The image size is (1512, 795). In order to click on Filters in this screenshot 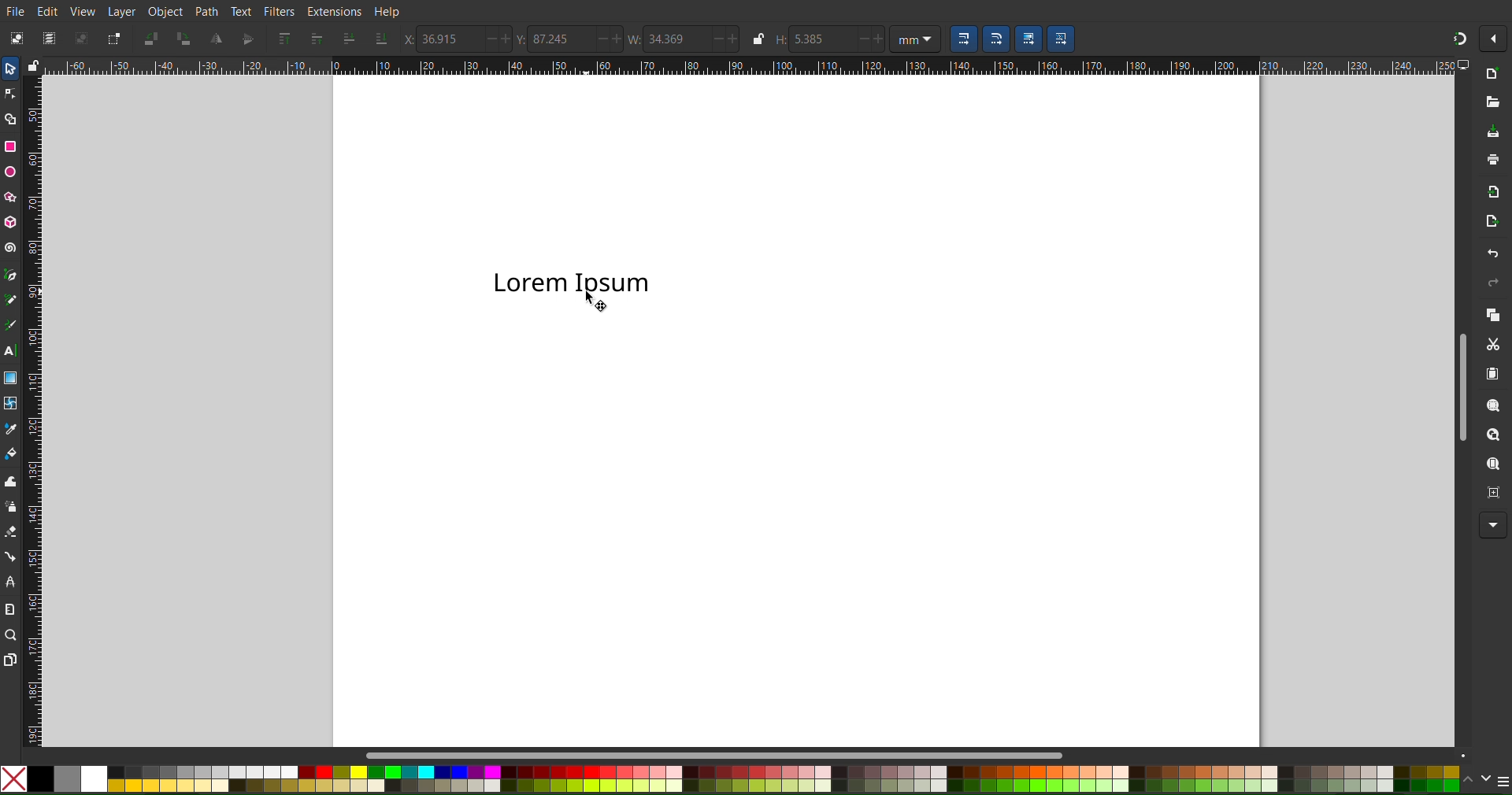, I will do `click(282, 10)`.